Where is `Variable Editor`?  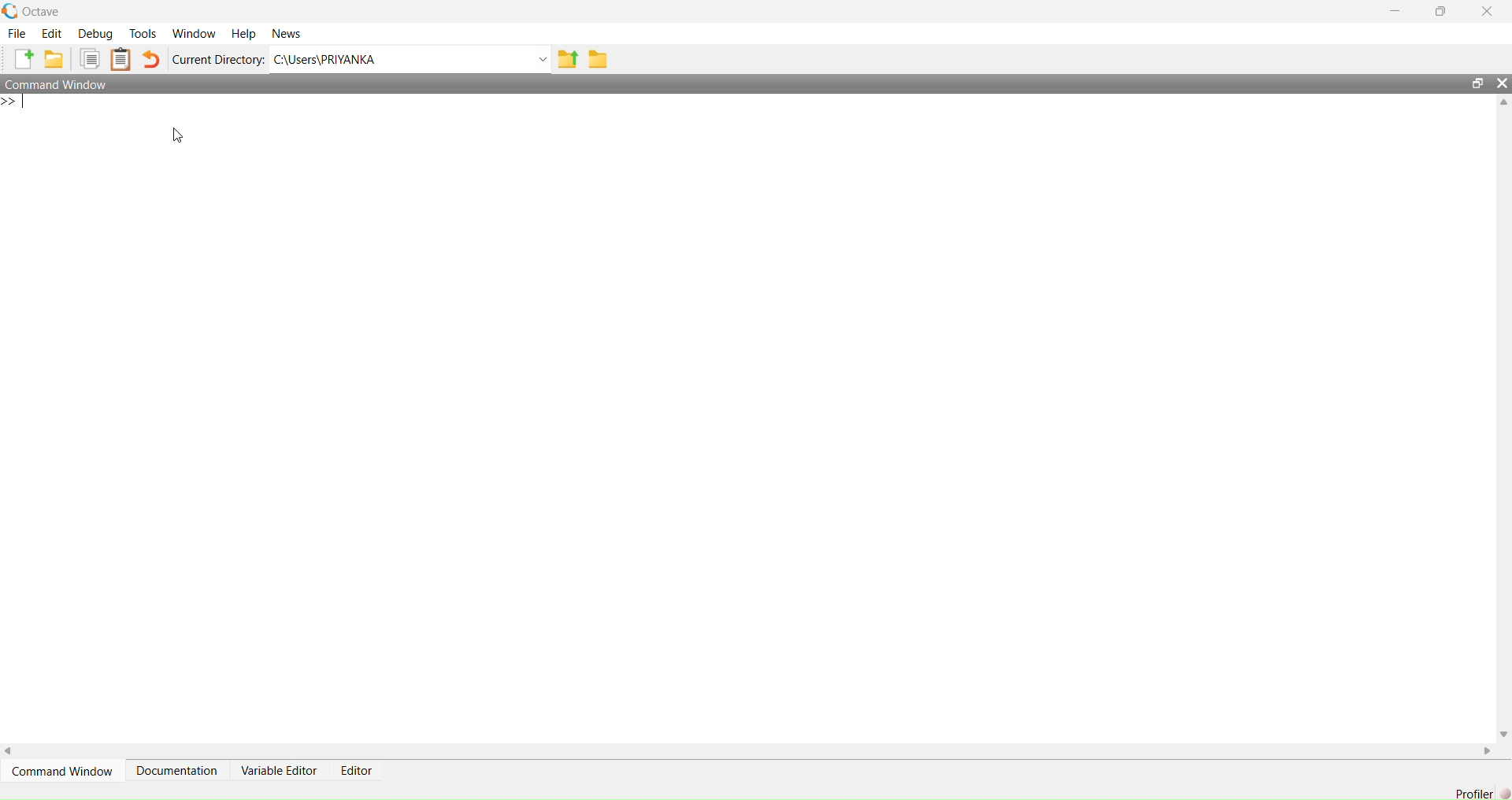
Variable Editor is located at coordinates (280, 771).